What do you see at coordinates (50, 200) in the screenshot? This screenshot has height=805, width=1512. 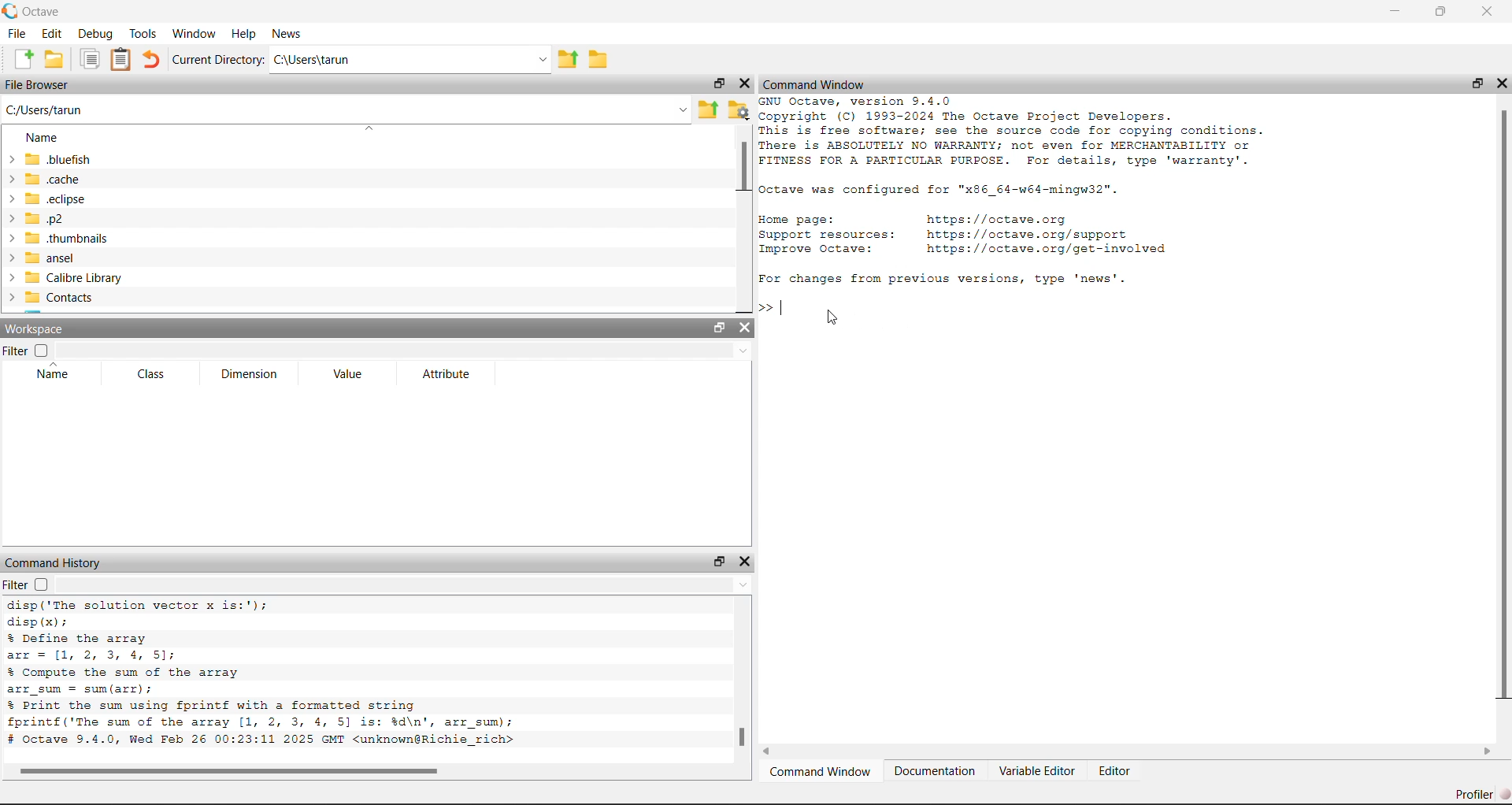 I see `eclipse` at bounding box center [50, 200].